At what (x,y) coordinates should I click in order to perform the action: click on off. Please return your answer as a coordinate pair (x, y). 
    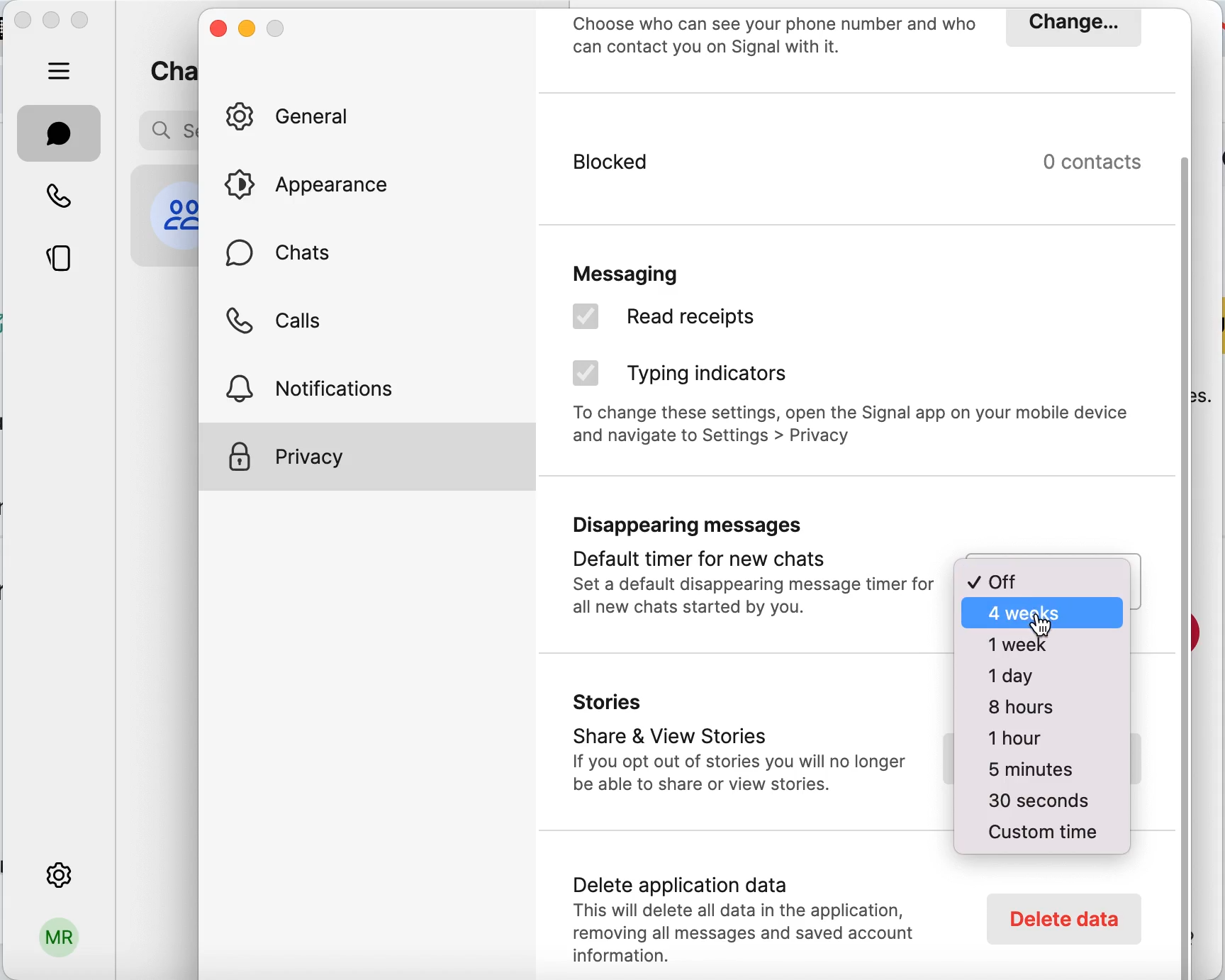
    Looking at the image, I should click on (1045, 575).